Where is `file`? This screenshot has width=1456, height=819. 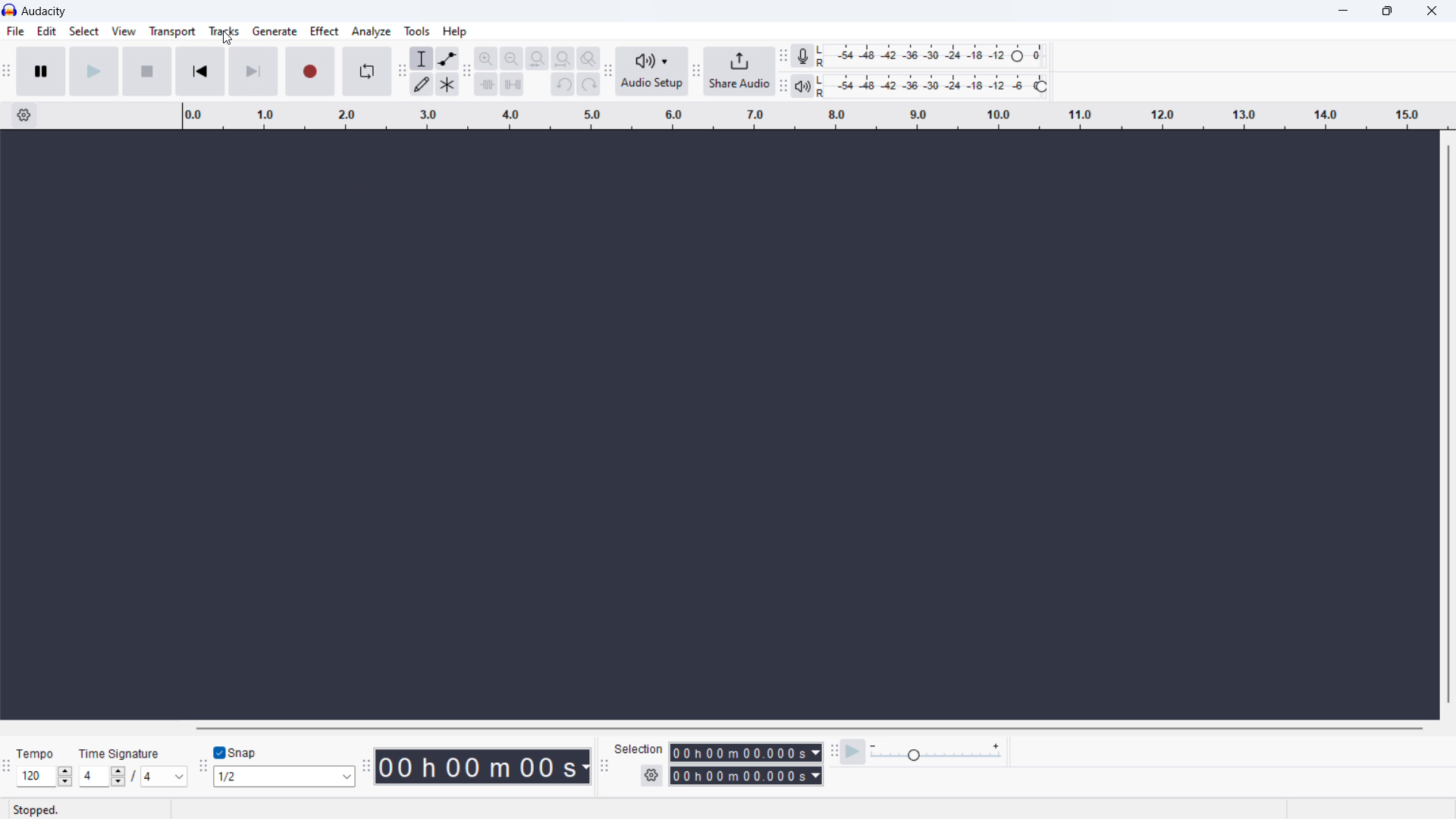 file is located at coordinates (15, 32).